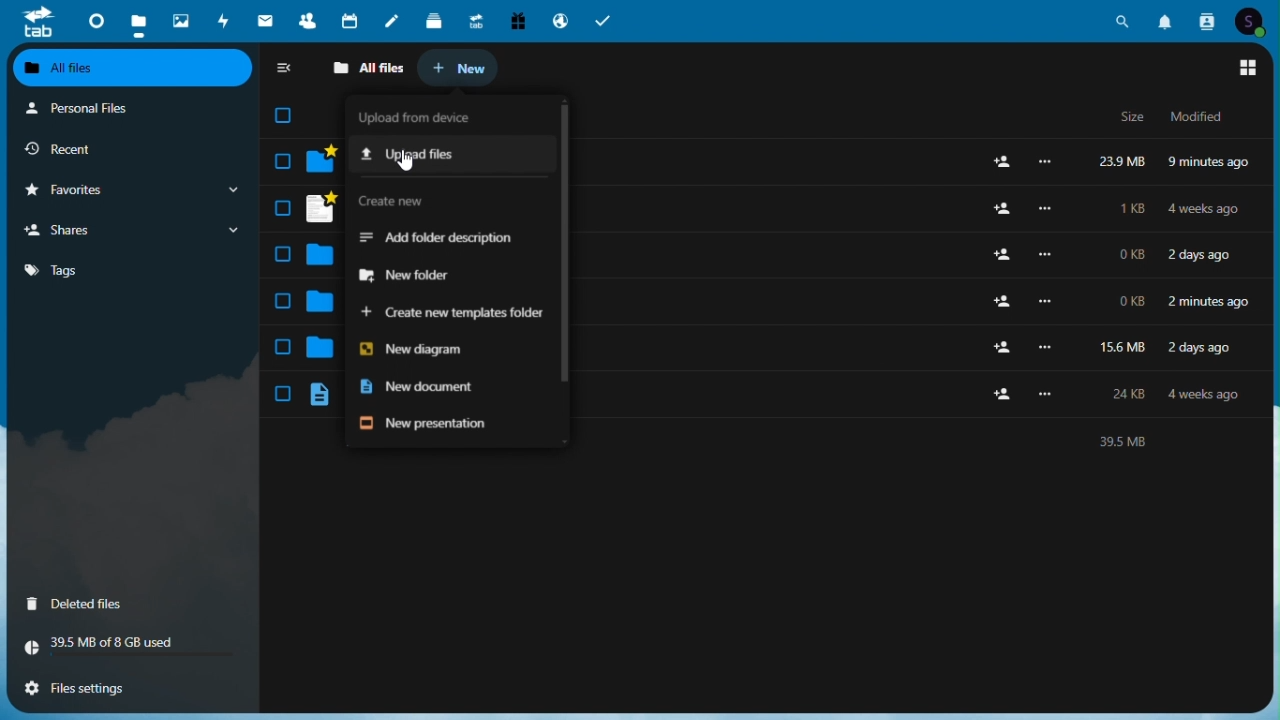 This screenshot has height=720, width=1280. What do you see at coordinates (1114, 299) in the screenshot?
I see `` at bounding box center [1114, 299].